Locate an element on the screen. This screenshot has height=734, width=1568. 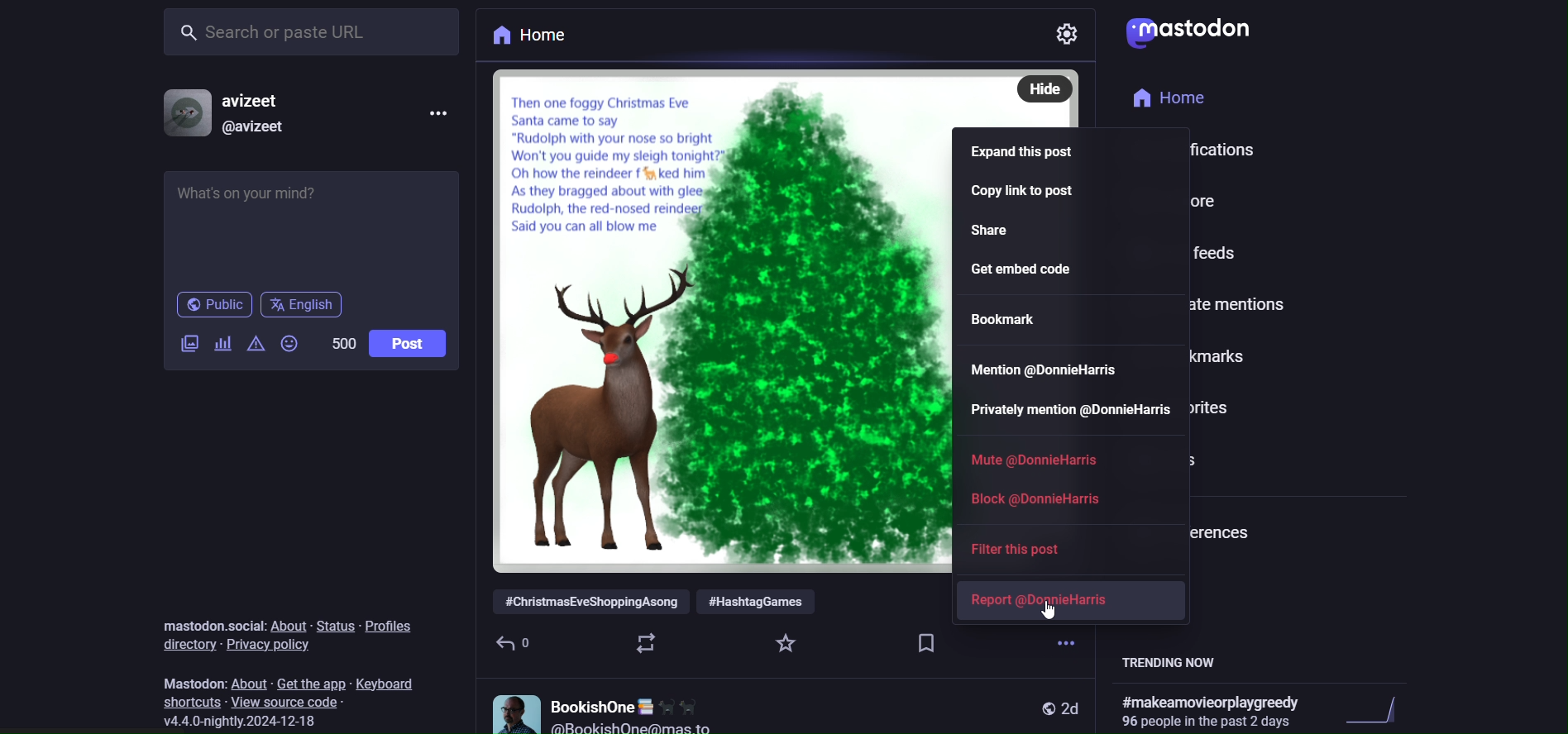
preferences is located at coordinates (1192, 530).